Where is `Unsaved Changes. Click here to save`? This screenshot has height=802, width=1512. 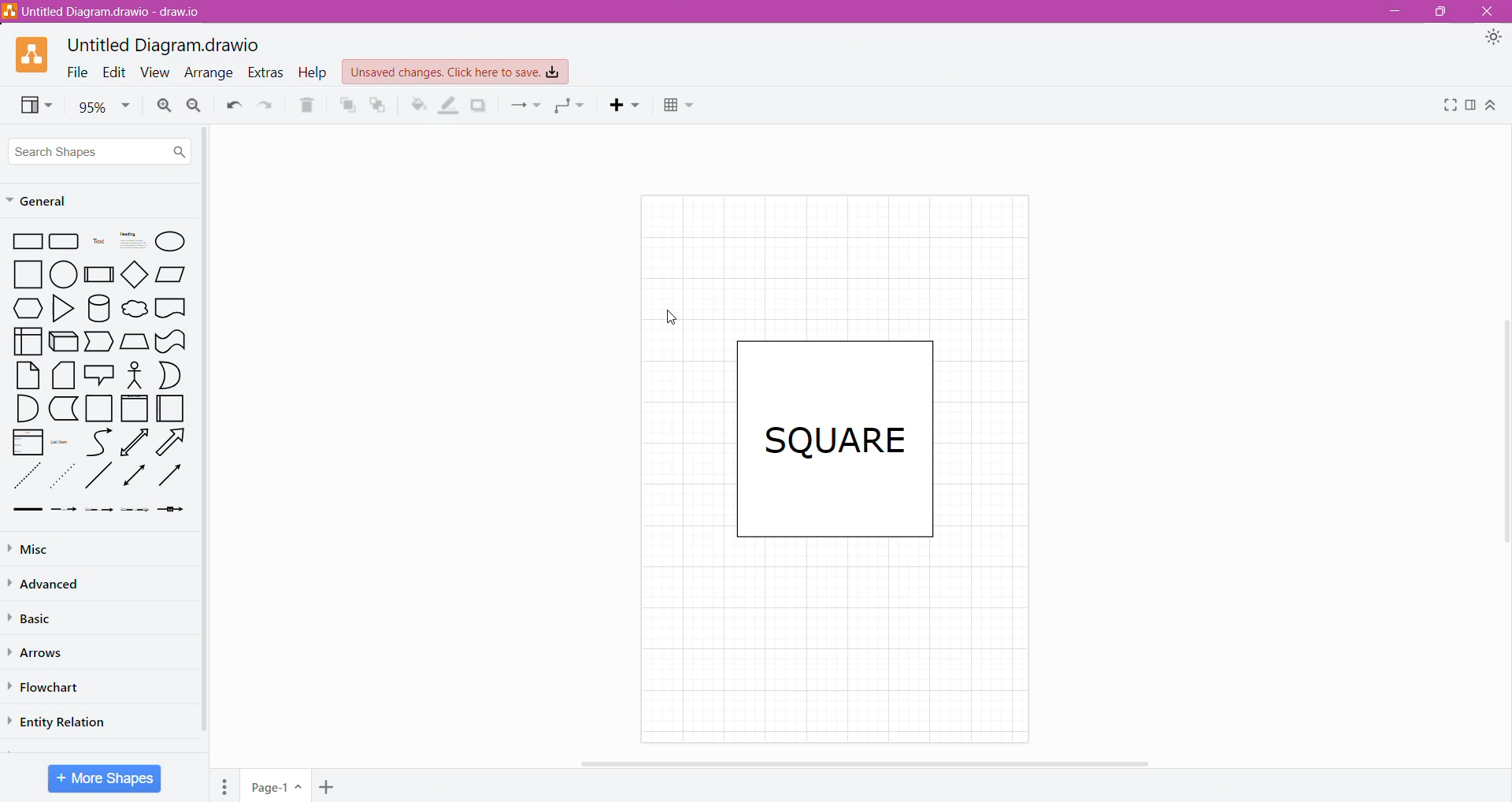
Unsaved Changes. Click here to save is located at coordinates (456, 72).